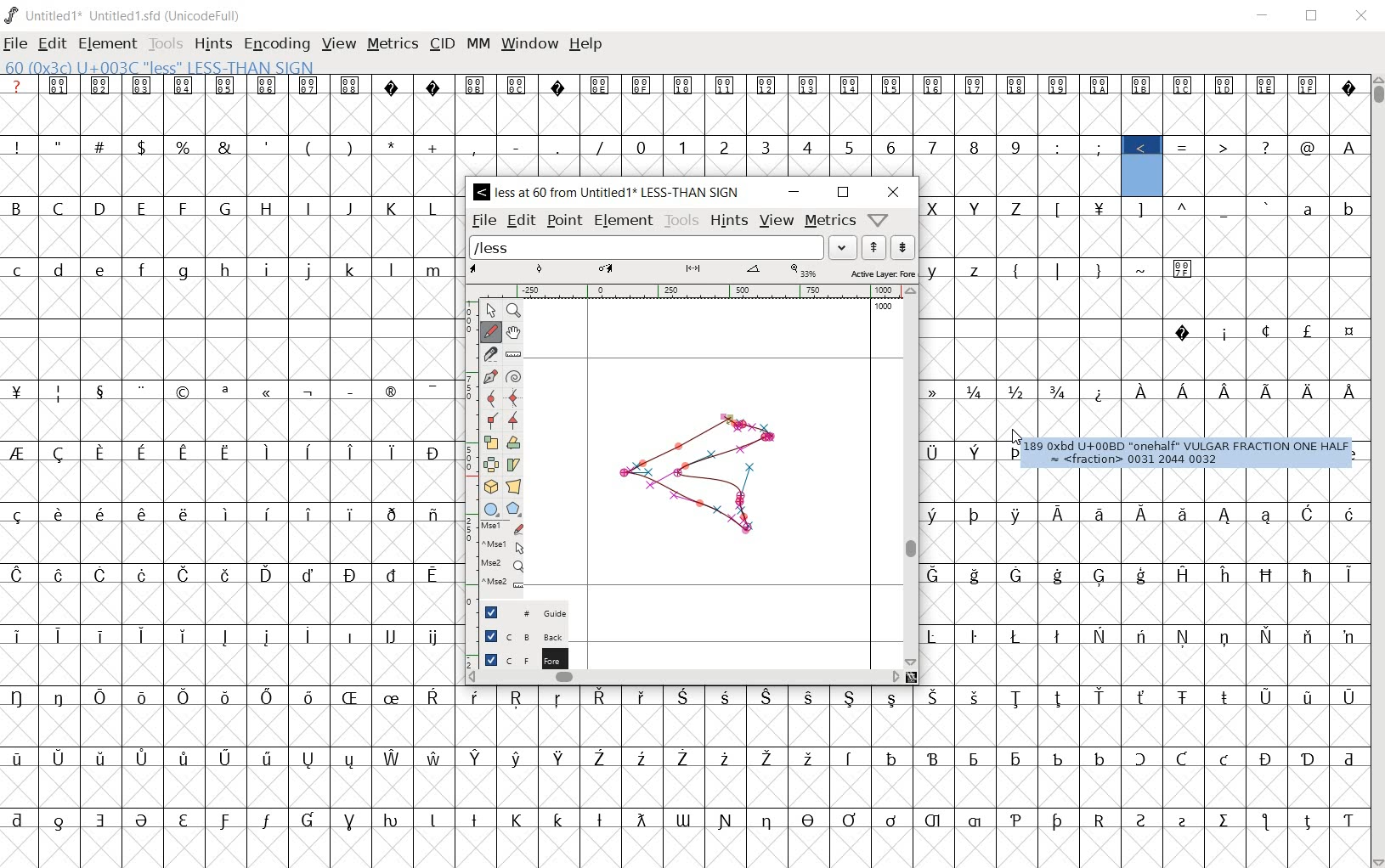  What do you see at coordinates (231, 575) in the screenshot?
I see `special letters` at bounding box center [231, 575].